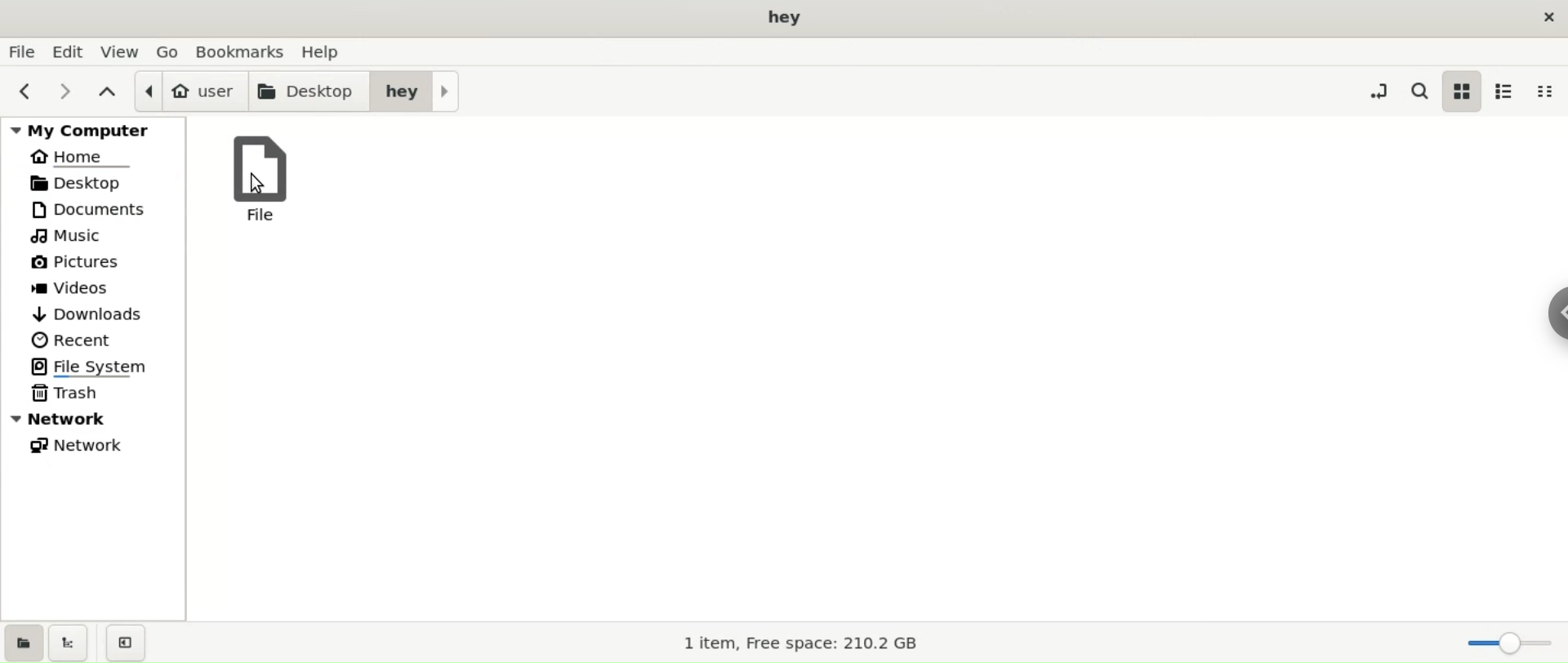 This screenshot has width=1568, height=663. Describe the element at coordinates (169, 54) in the screenshot. I see `go` at that location.